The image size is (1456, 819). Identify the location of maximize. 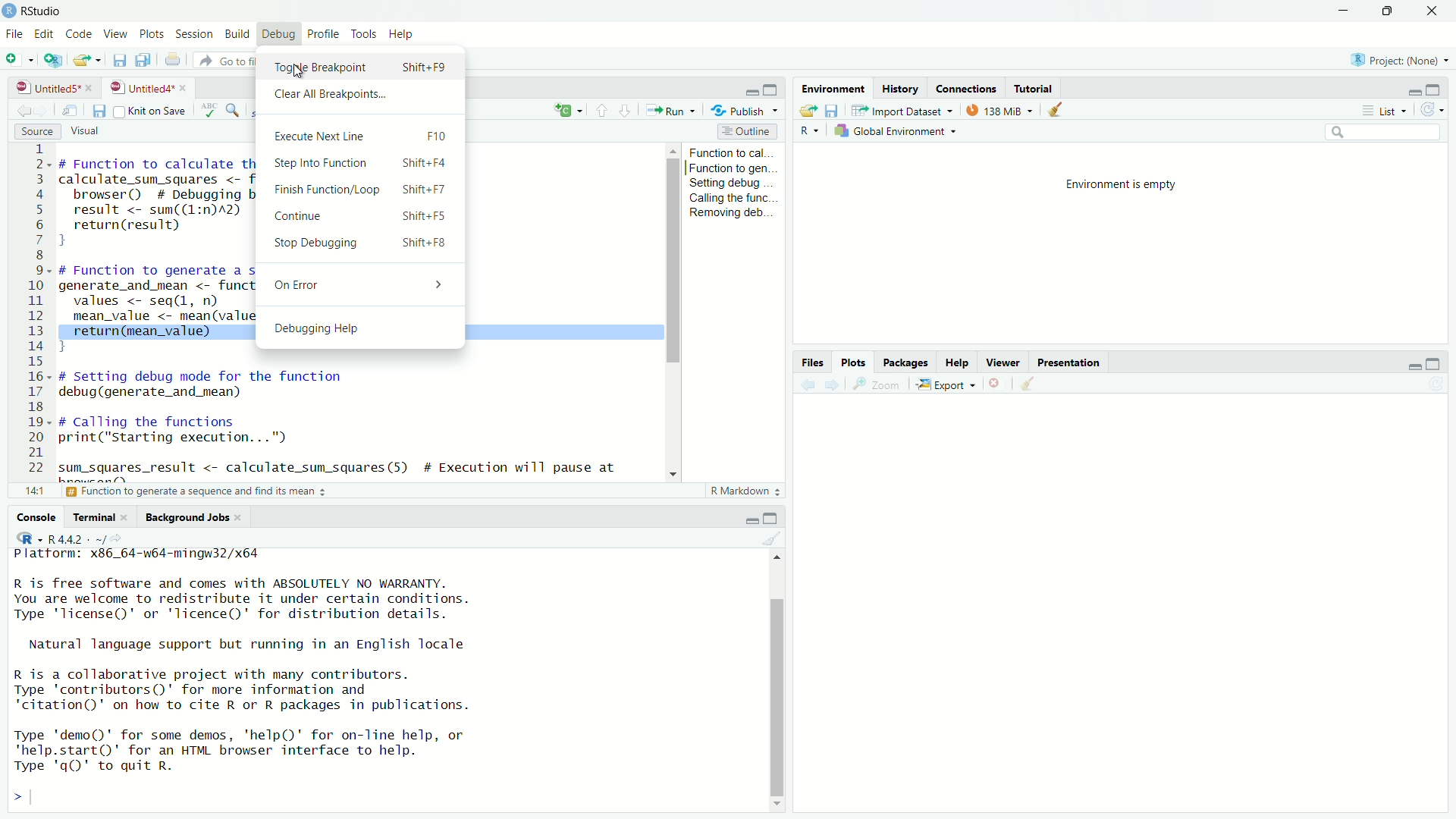
(1395, 13).